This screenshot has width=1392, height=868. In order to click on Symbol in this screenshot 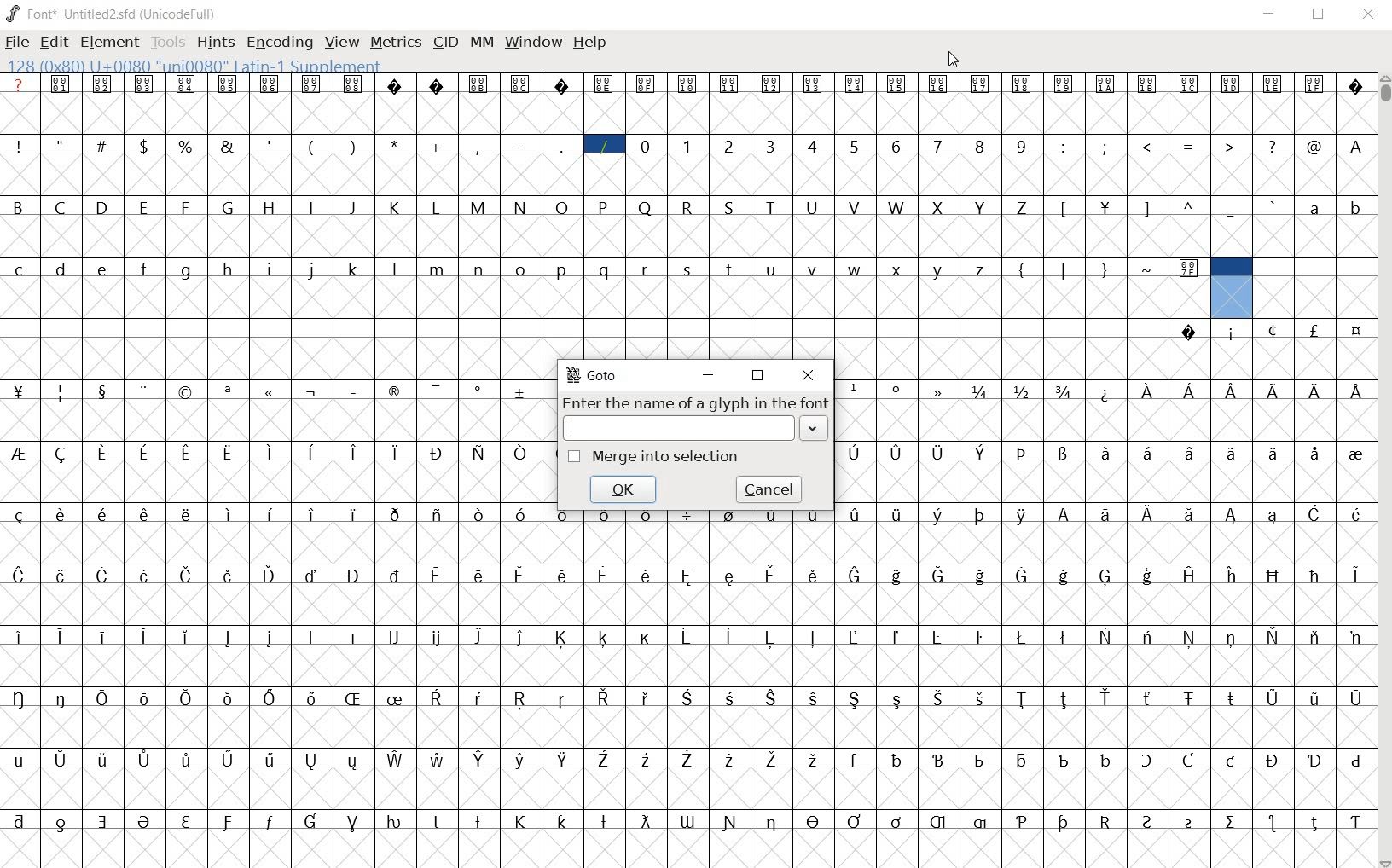, I will do `click(393, 389)`.